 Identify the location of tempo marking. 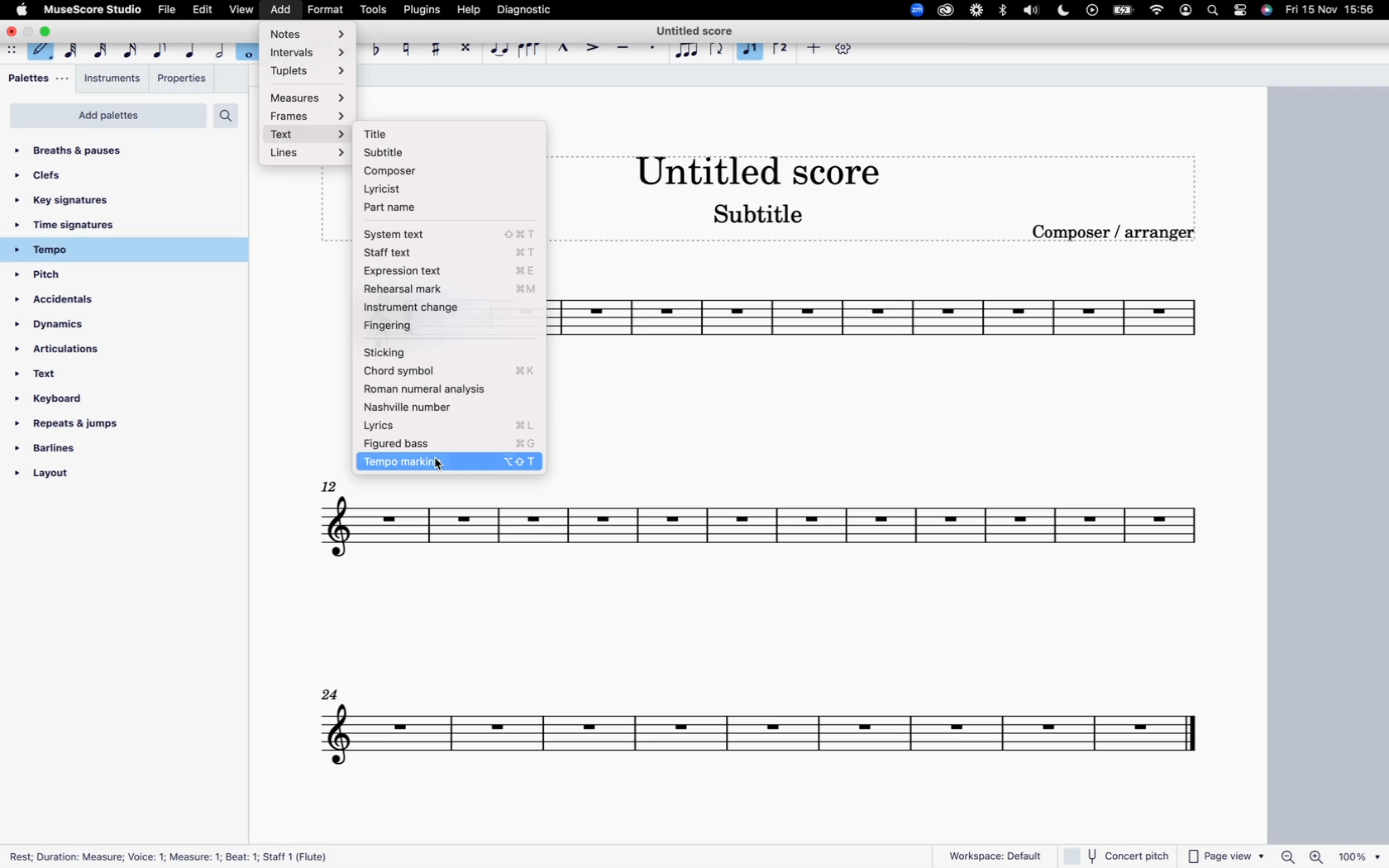
(452, 463).